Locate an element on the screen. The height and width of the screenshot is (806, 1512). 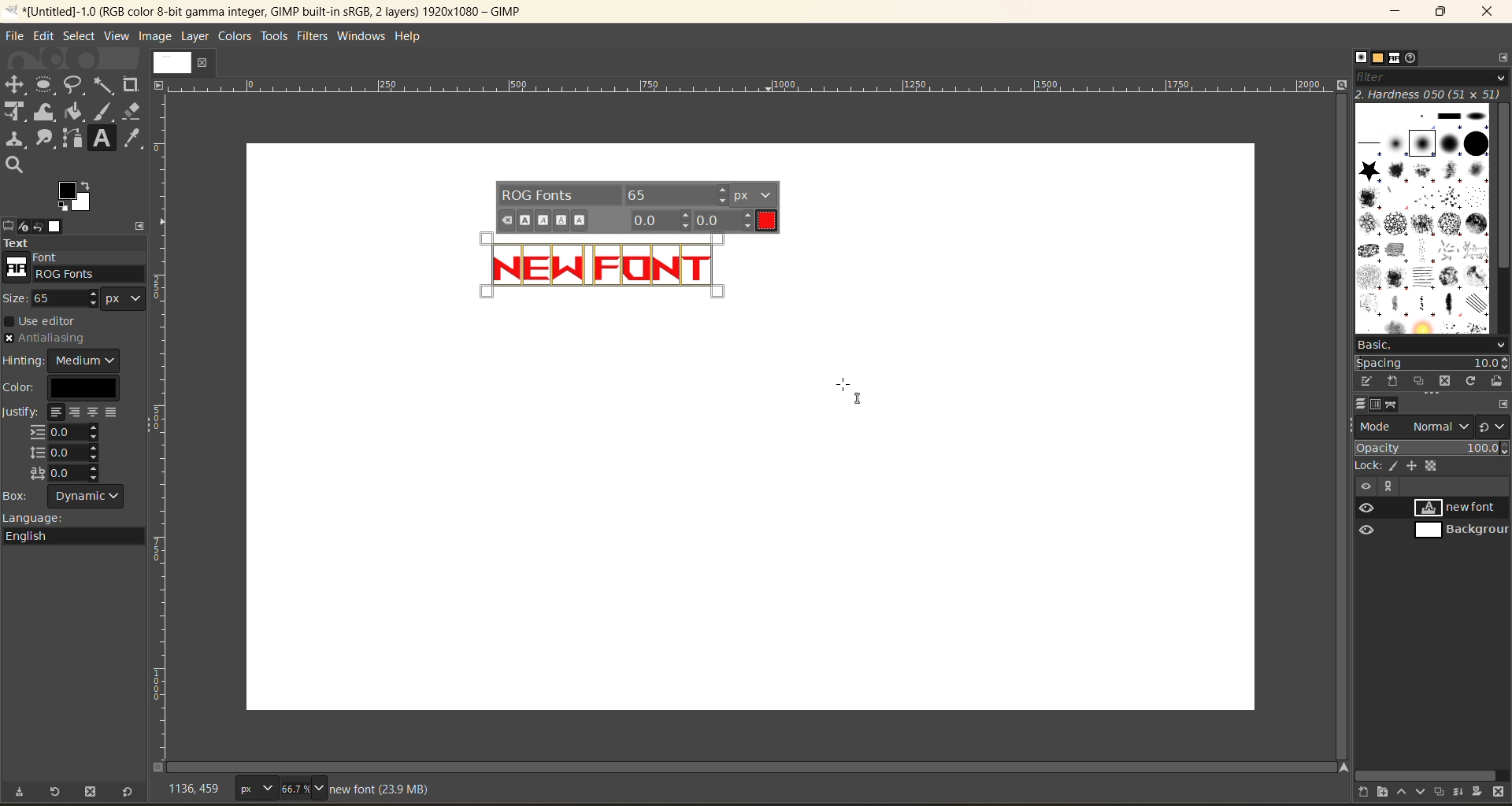
metadata is located at coordinates (379, 789).